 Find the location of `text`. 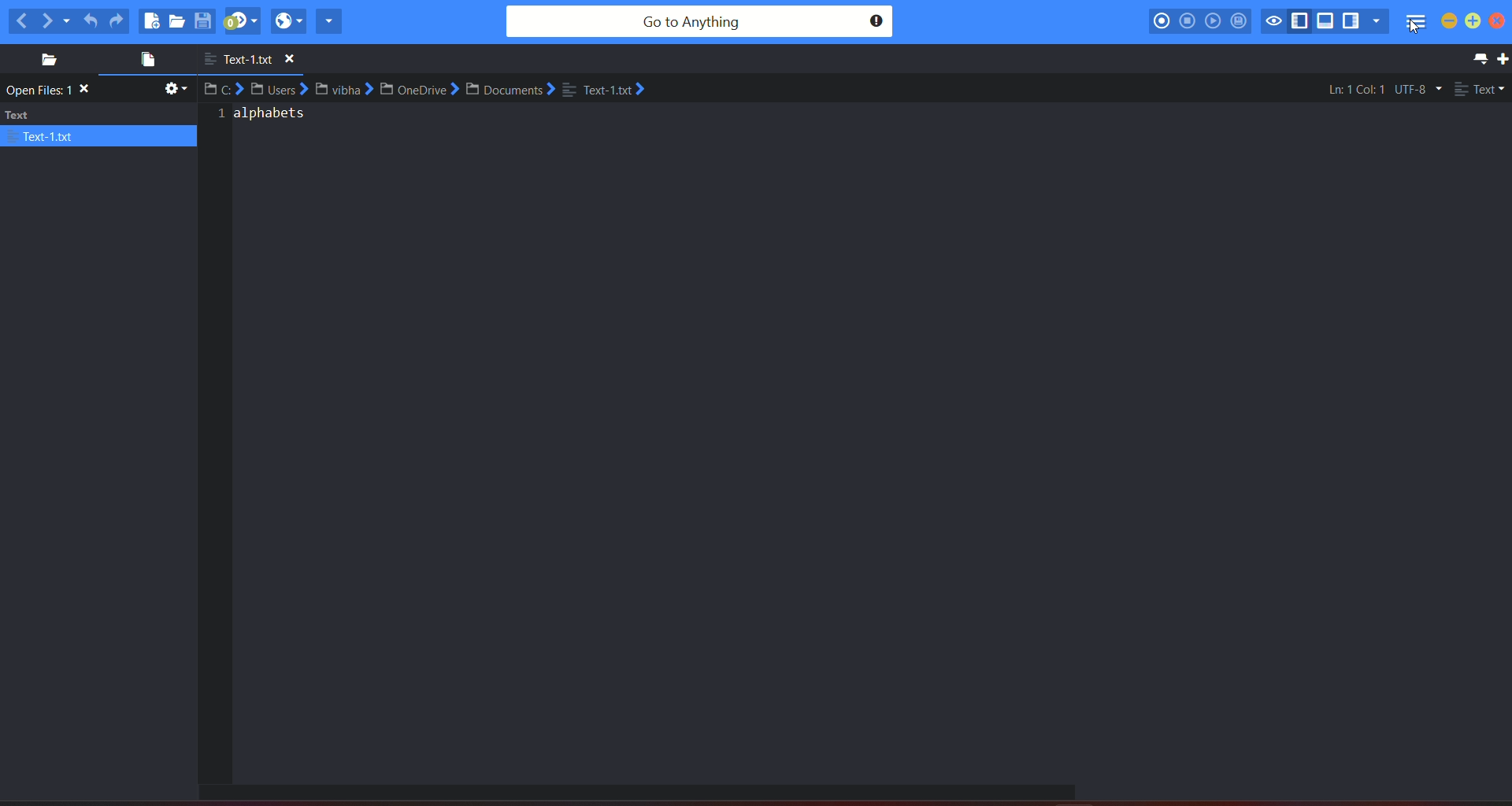

text is located at coordinates (99, 125).